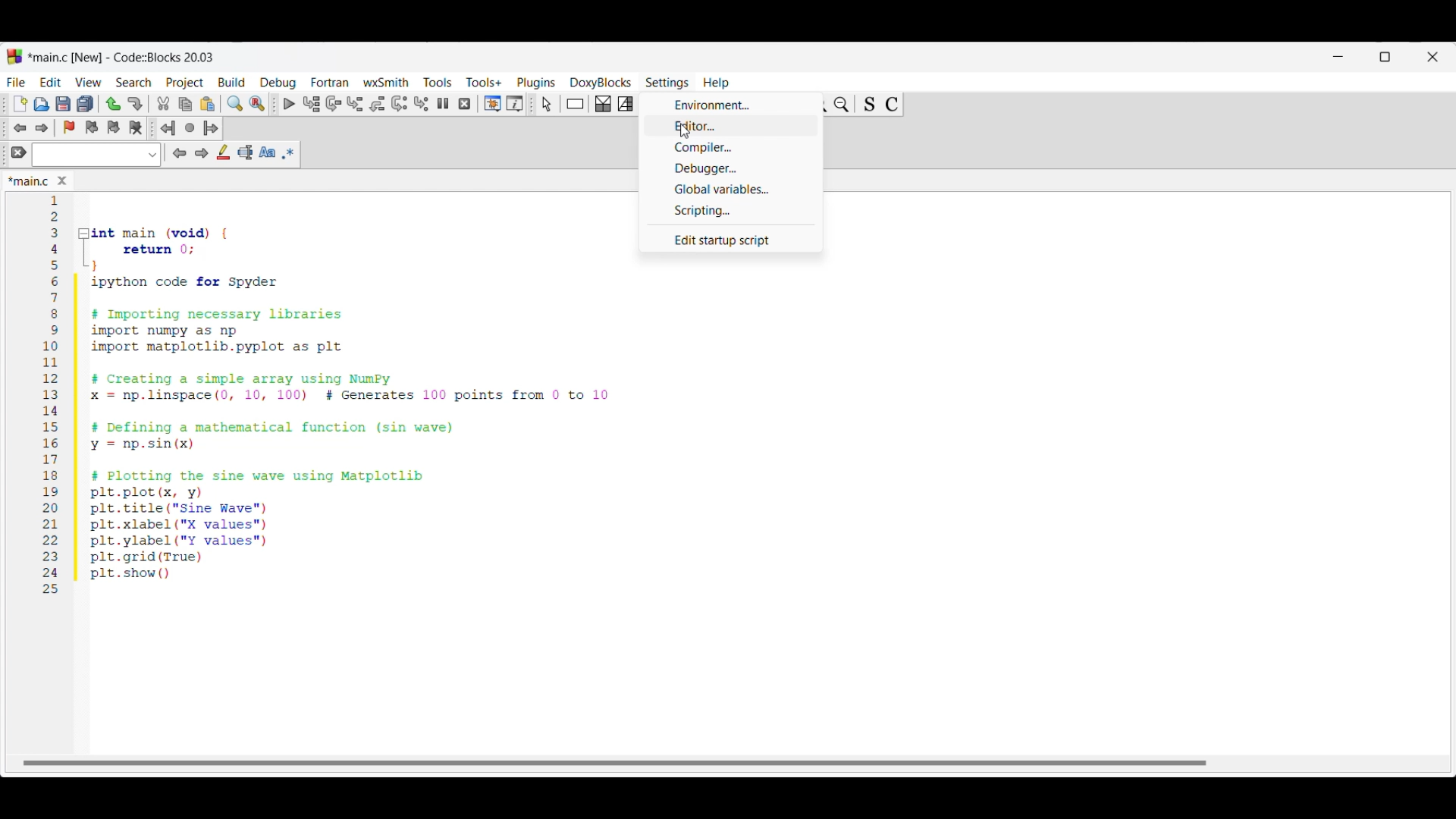  What do you see at coordinates (20, 104) in the screenshot?
I see `New file` at bounding box center [20, 104].